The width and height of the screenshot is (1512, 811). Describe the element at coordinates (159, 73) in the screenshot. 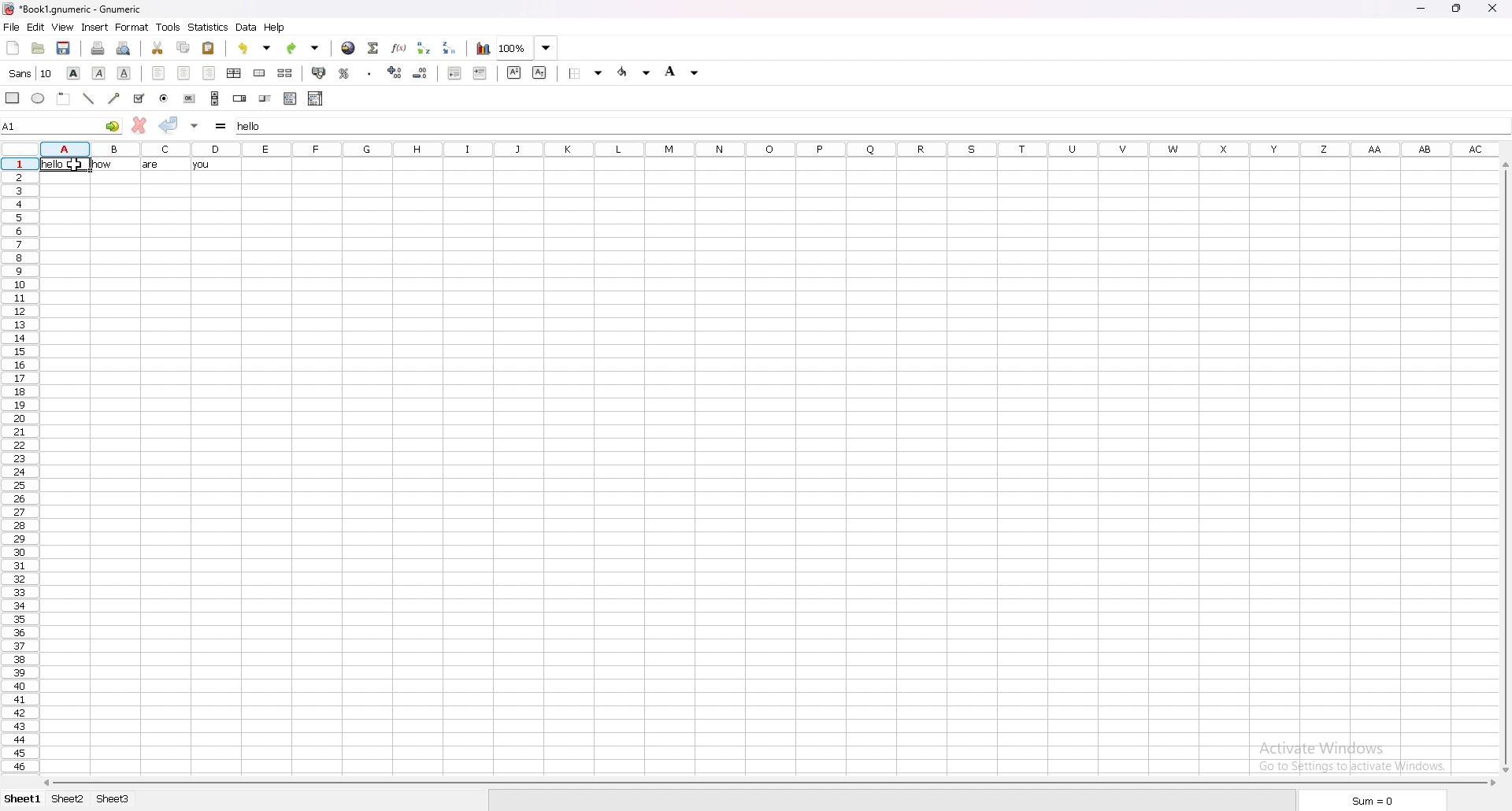

I see `left align` at that location.